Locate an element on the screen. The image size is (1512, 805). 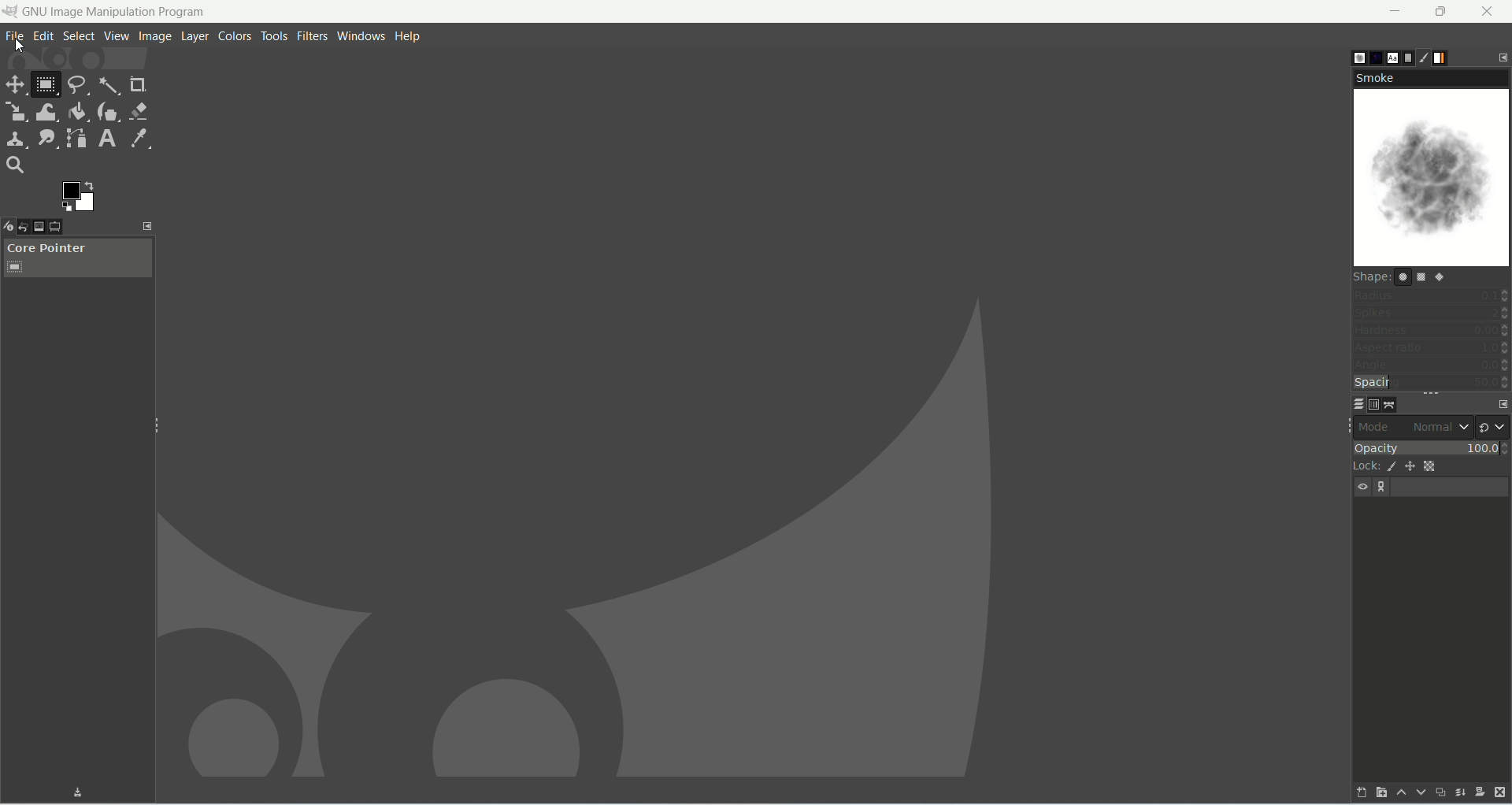
fonts is located at coordinates (1393, 57).